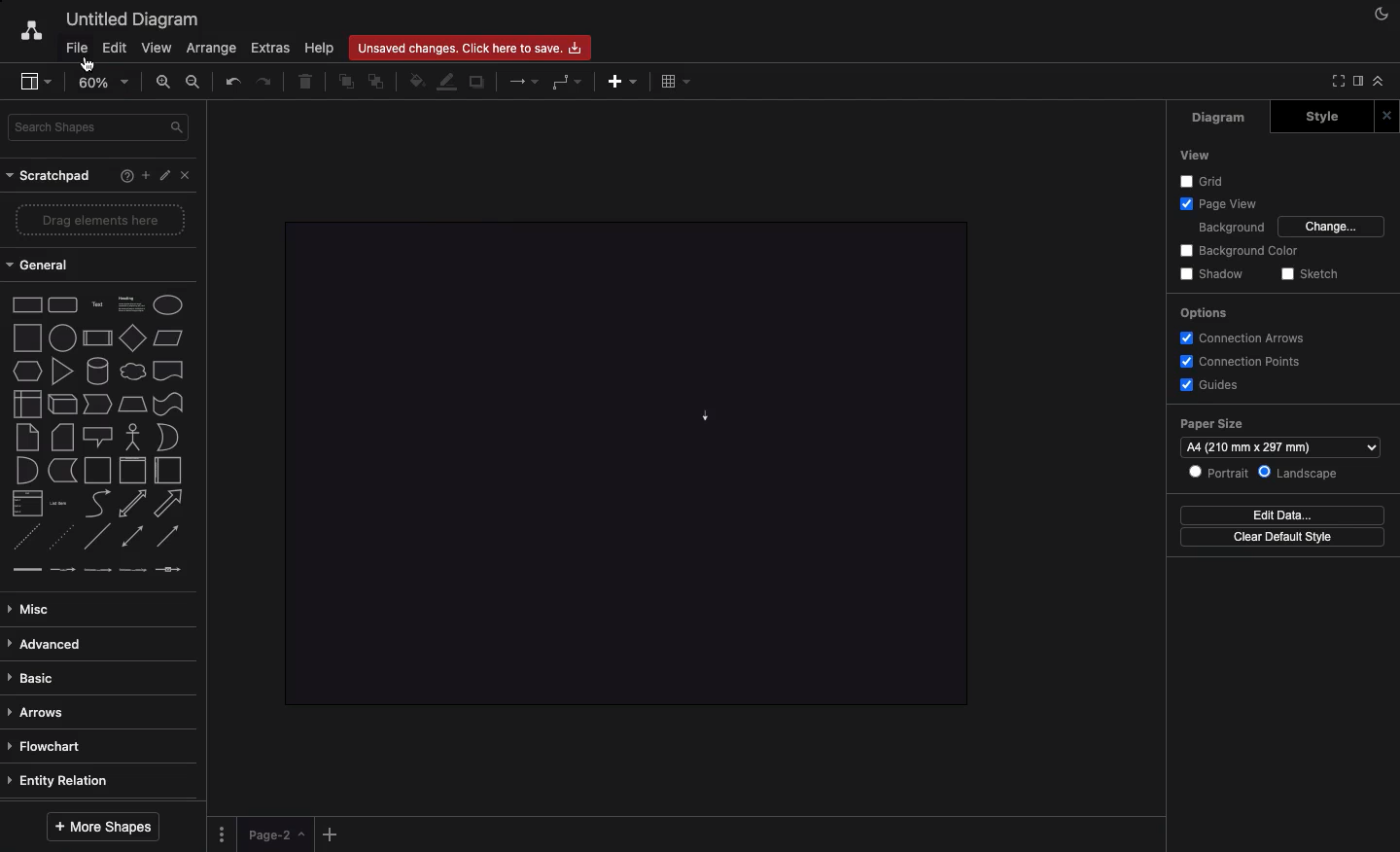  What do you see at coordinates (1334, 82) in the screenshot?
I see `Full screen` at bounding box center [1334, 82].